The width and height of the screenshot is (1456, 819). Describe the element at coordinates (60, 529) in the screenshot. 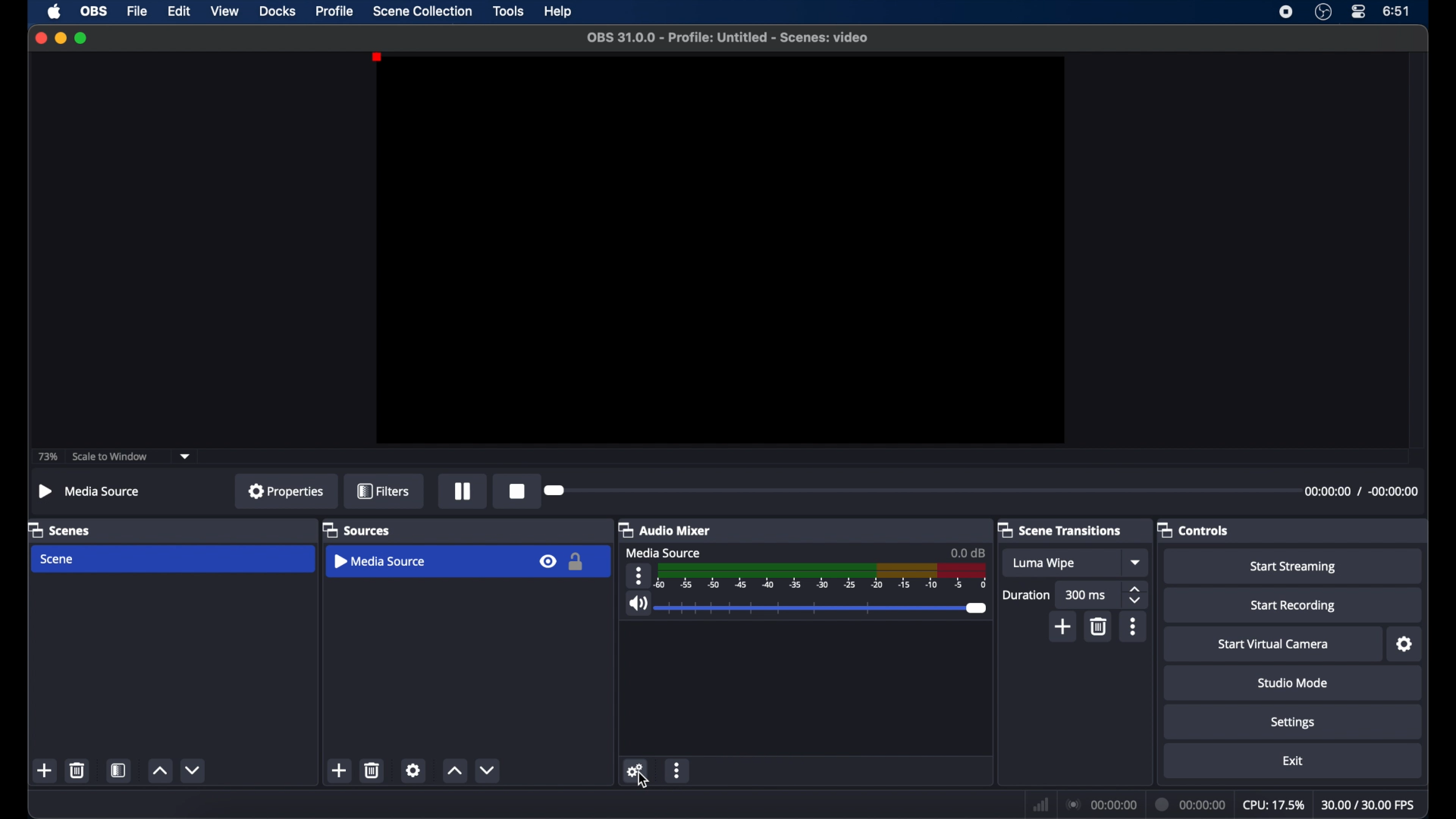

I see `scenes` at that location.